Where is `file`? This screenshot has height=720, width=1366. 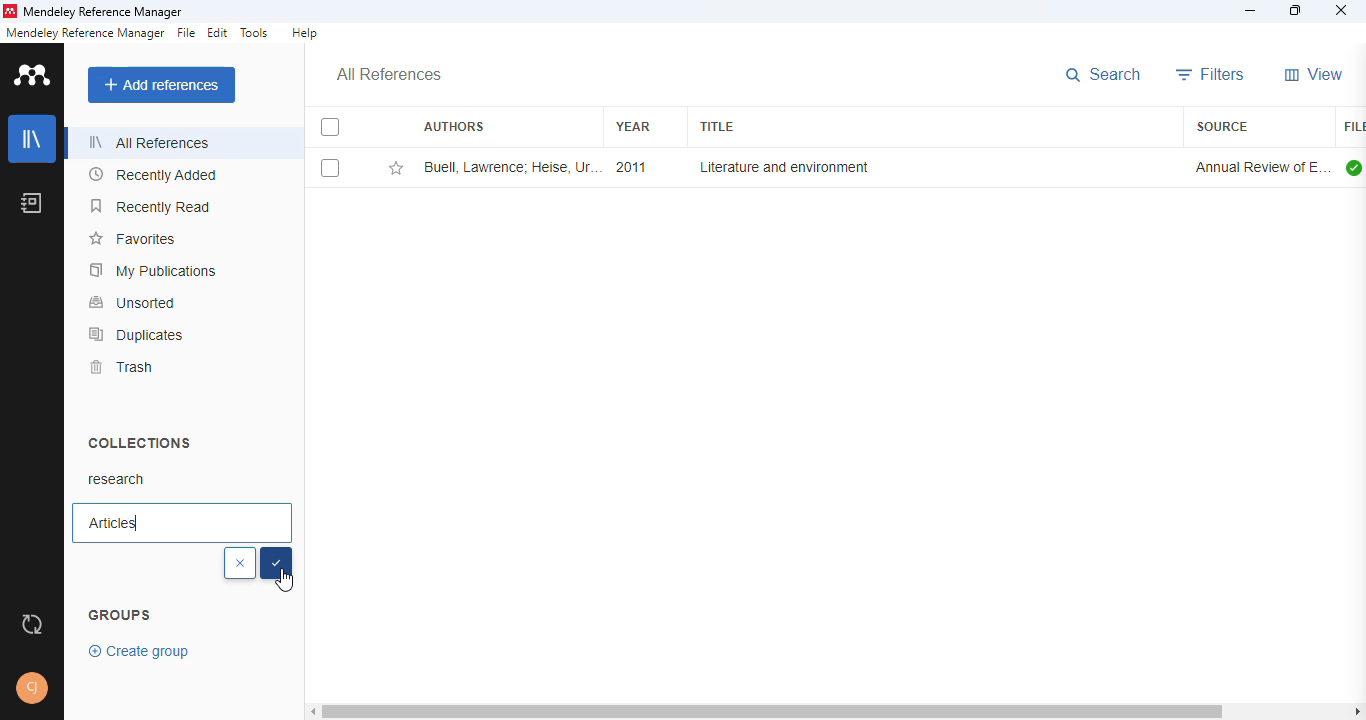 file is located at coordinates (1353, 127).